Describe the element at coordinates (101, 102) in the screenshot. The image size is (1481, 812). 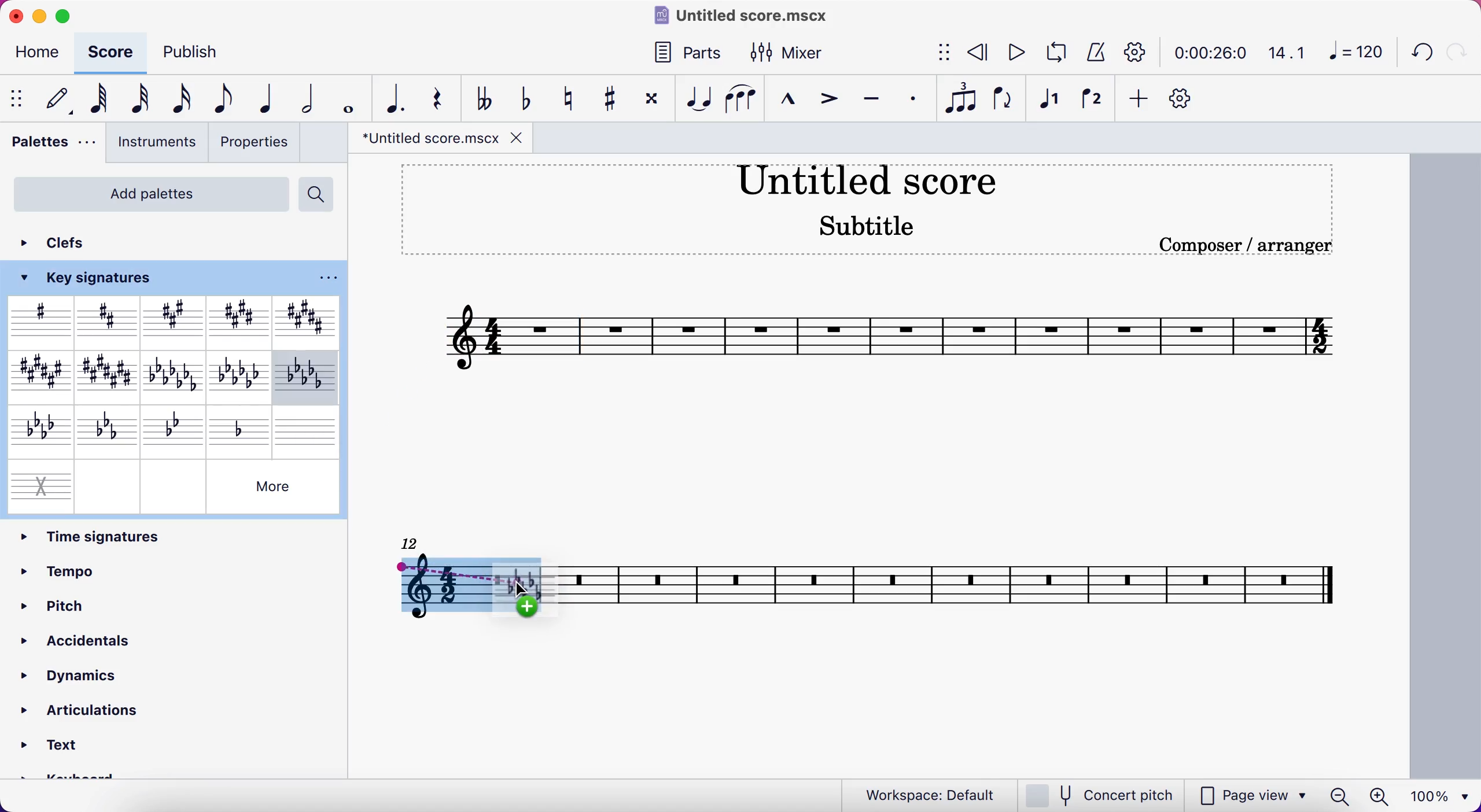
I see `64th note` at that location.